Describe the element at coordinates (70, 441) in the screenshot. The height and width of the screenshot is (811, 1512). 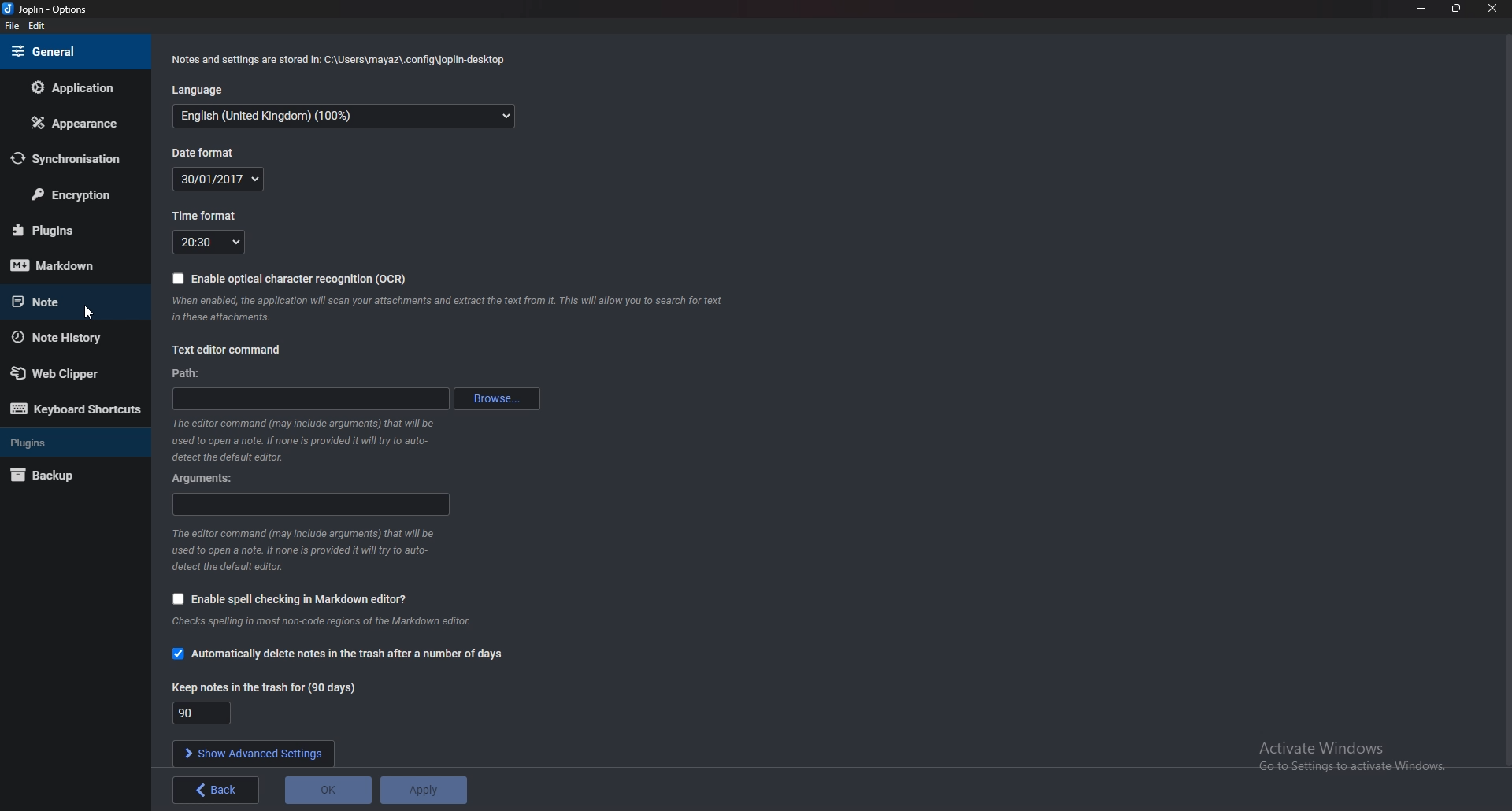
I see `Plugins` at that location.